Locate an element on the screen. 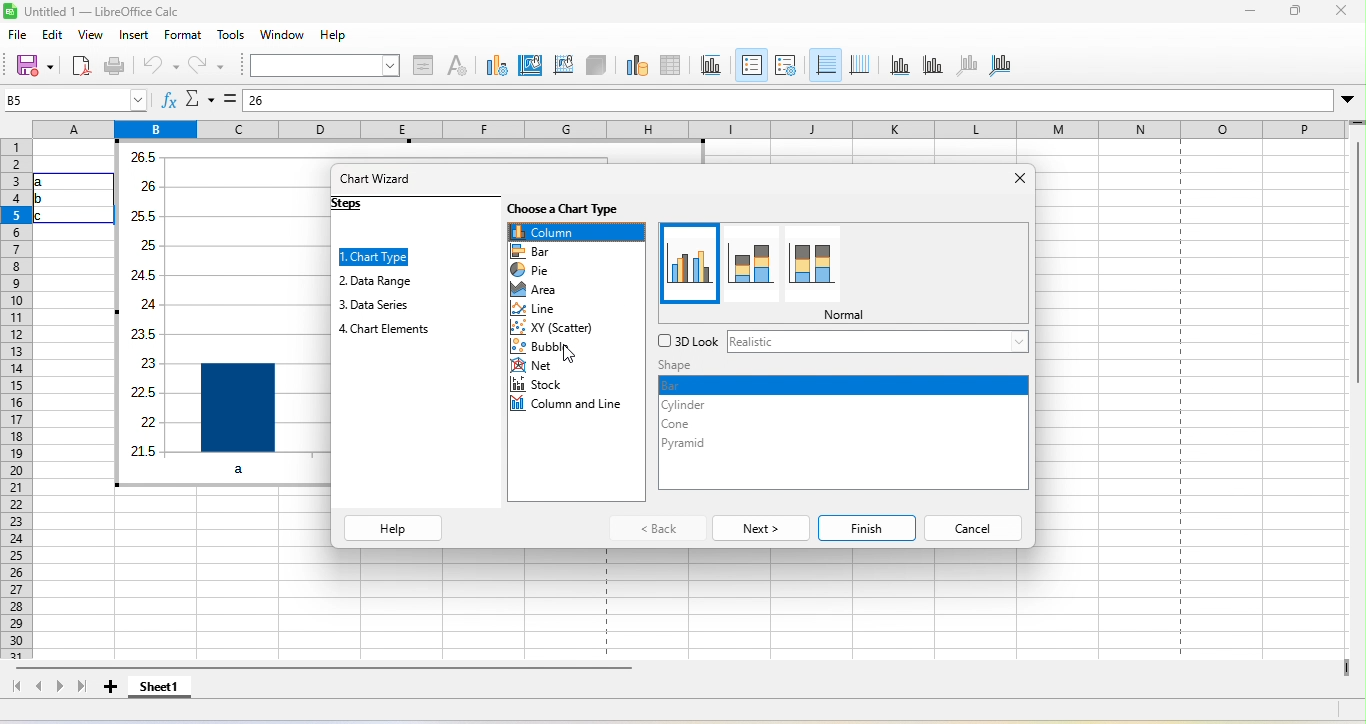  stock is located at coordinates (537, 388).